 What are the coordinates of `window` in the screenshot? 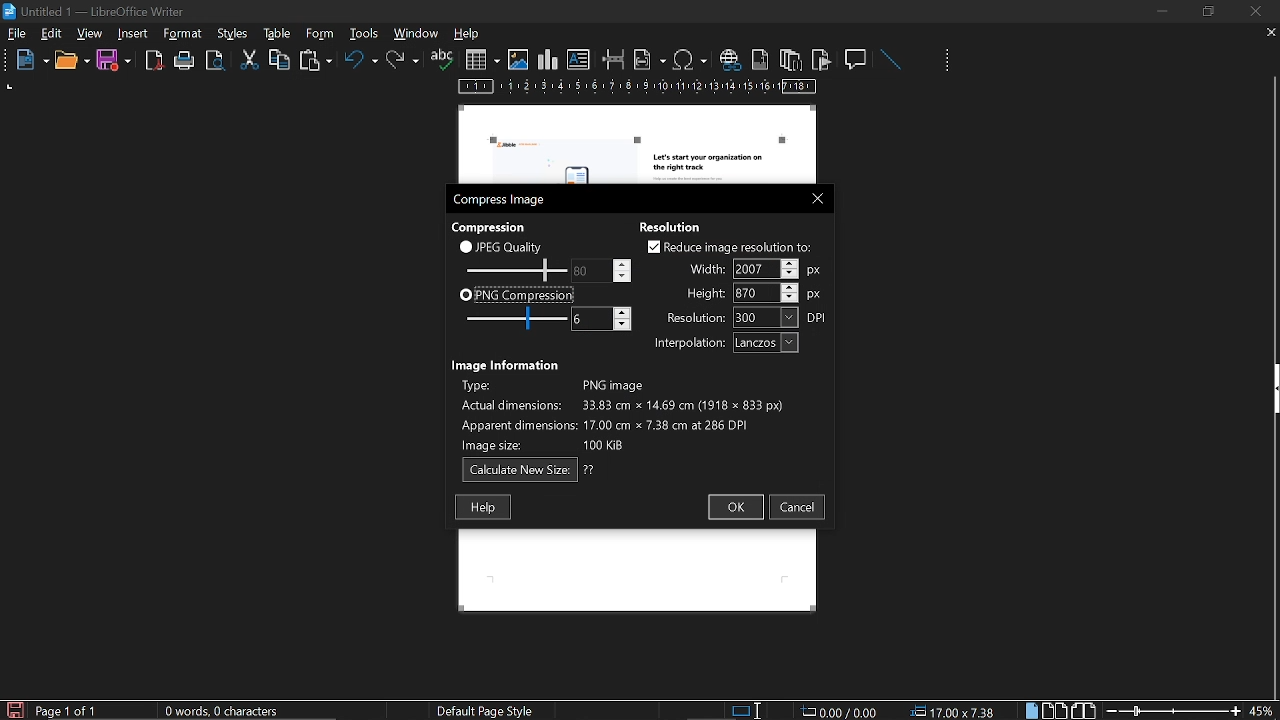 It's located at (417, 33).